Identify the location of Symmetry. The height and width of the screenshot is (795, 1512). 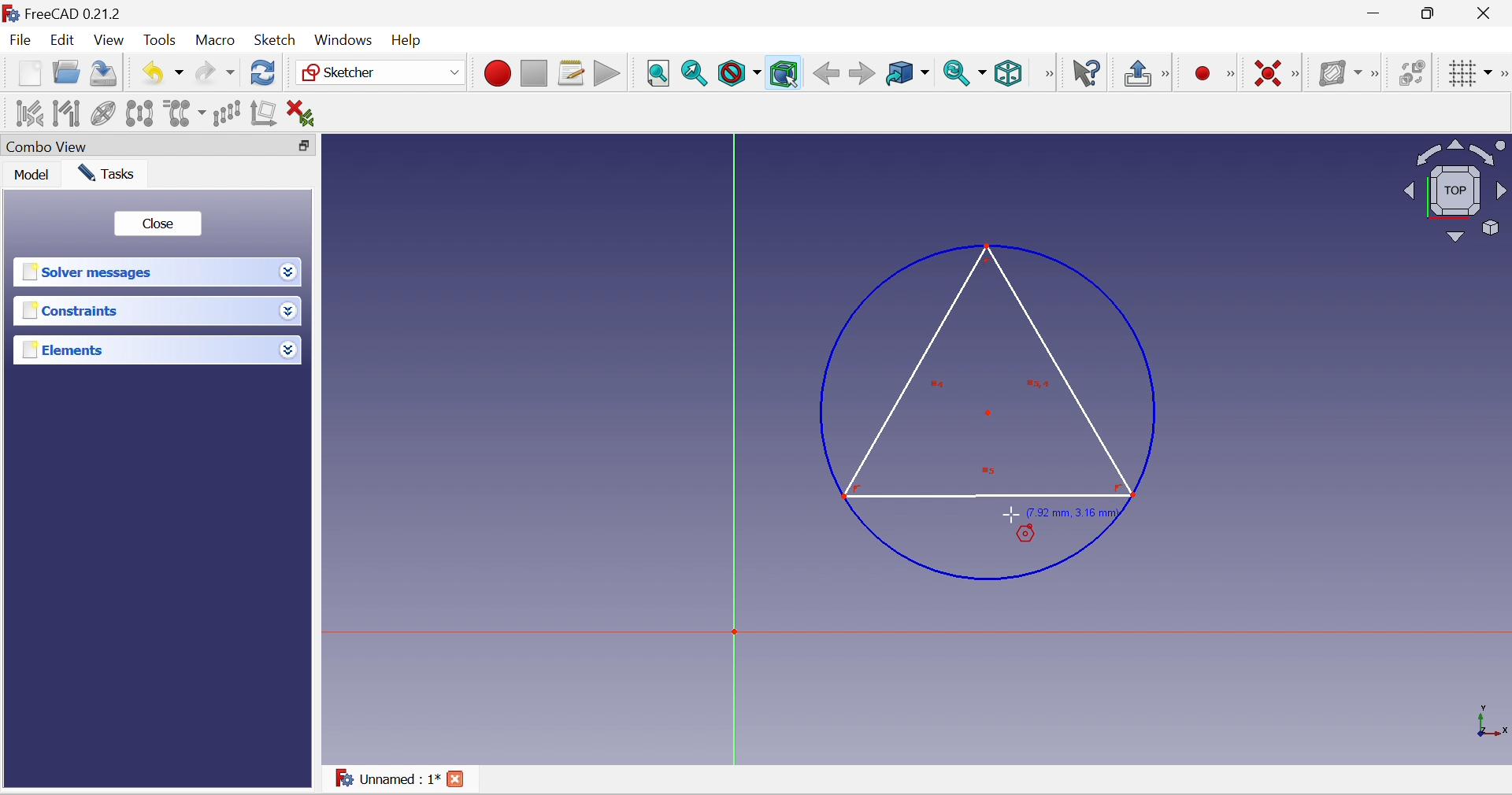
(139, 113).